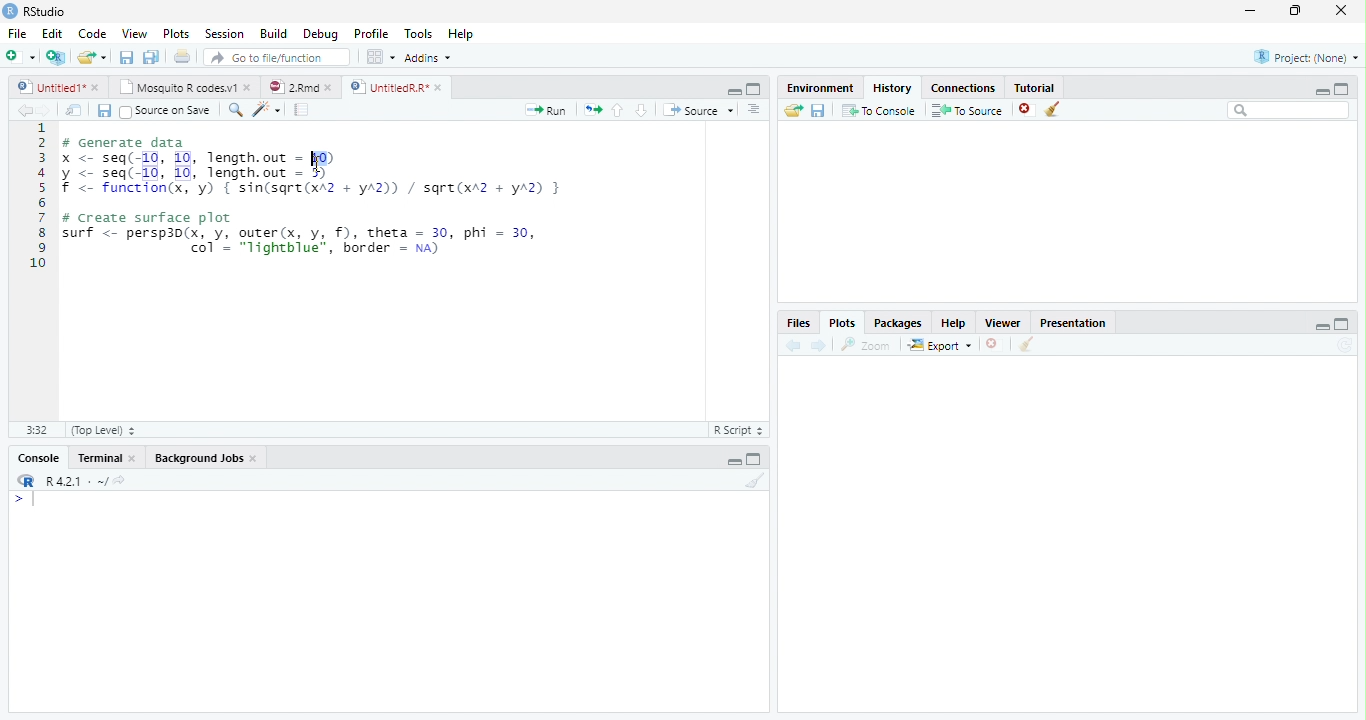 The width and height of the screenshot is (1366, 720). What do you see at coordinates (91, 33) in the screenshot?
I see `Code` at bounding box center [91, 33].